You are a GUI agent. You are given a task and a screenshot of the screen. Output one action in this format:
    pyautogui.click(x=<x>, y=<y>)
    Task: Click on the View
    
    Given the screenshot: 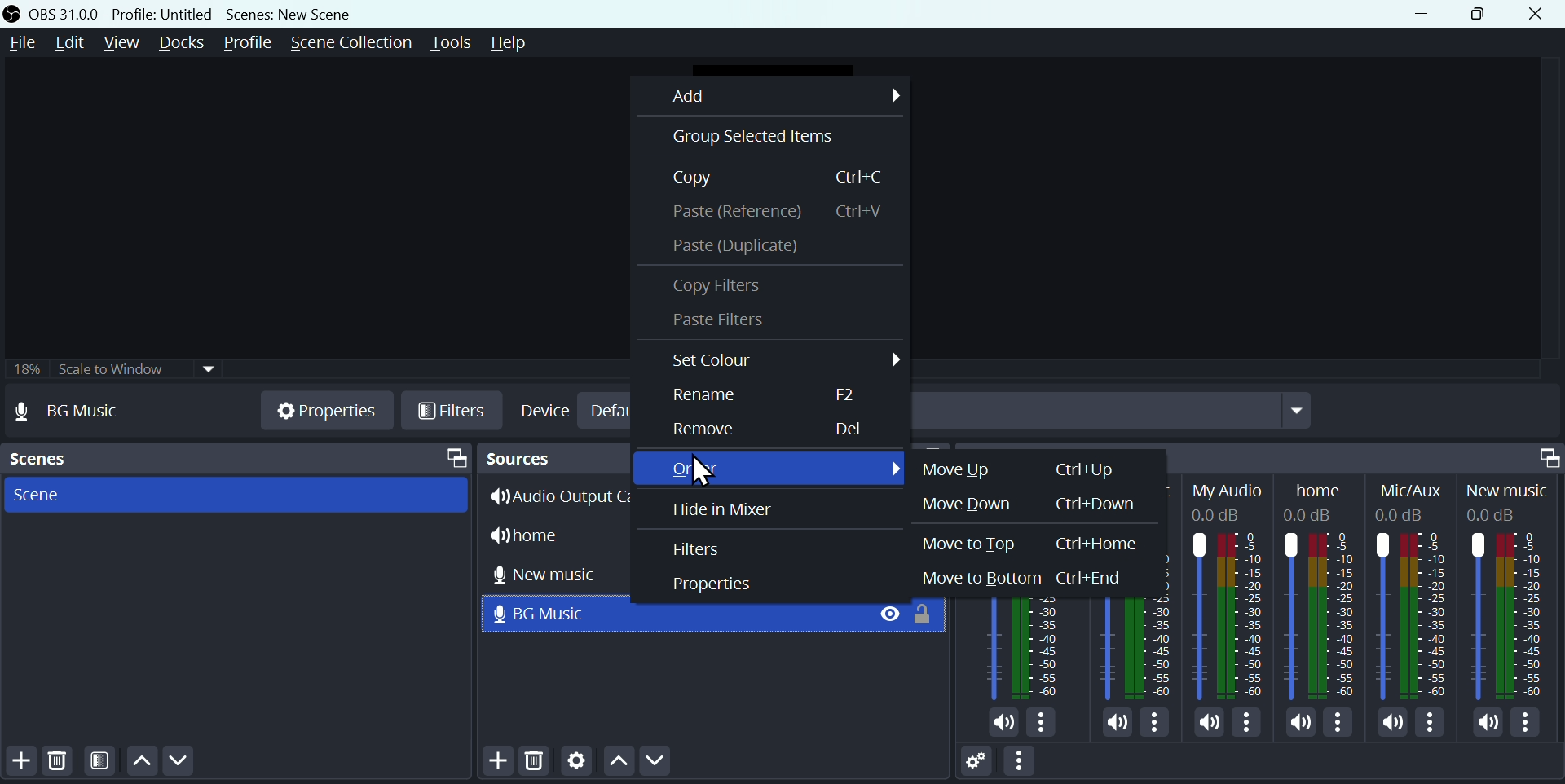 What is the action you would take?
    pyautogui.click(x=878, y=614)
    